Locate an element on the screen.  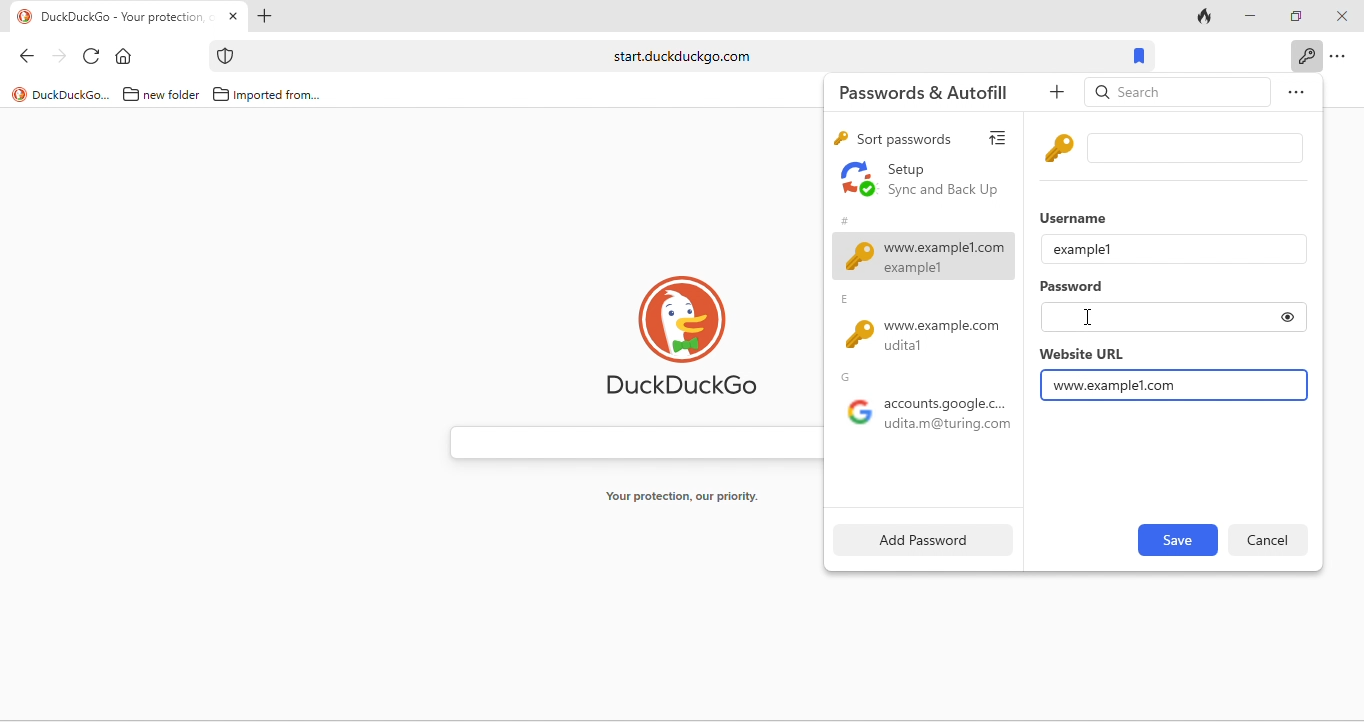
website url is located at coordinates (1081, 354).